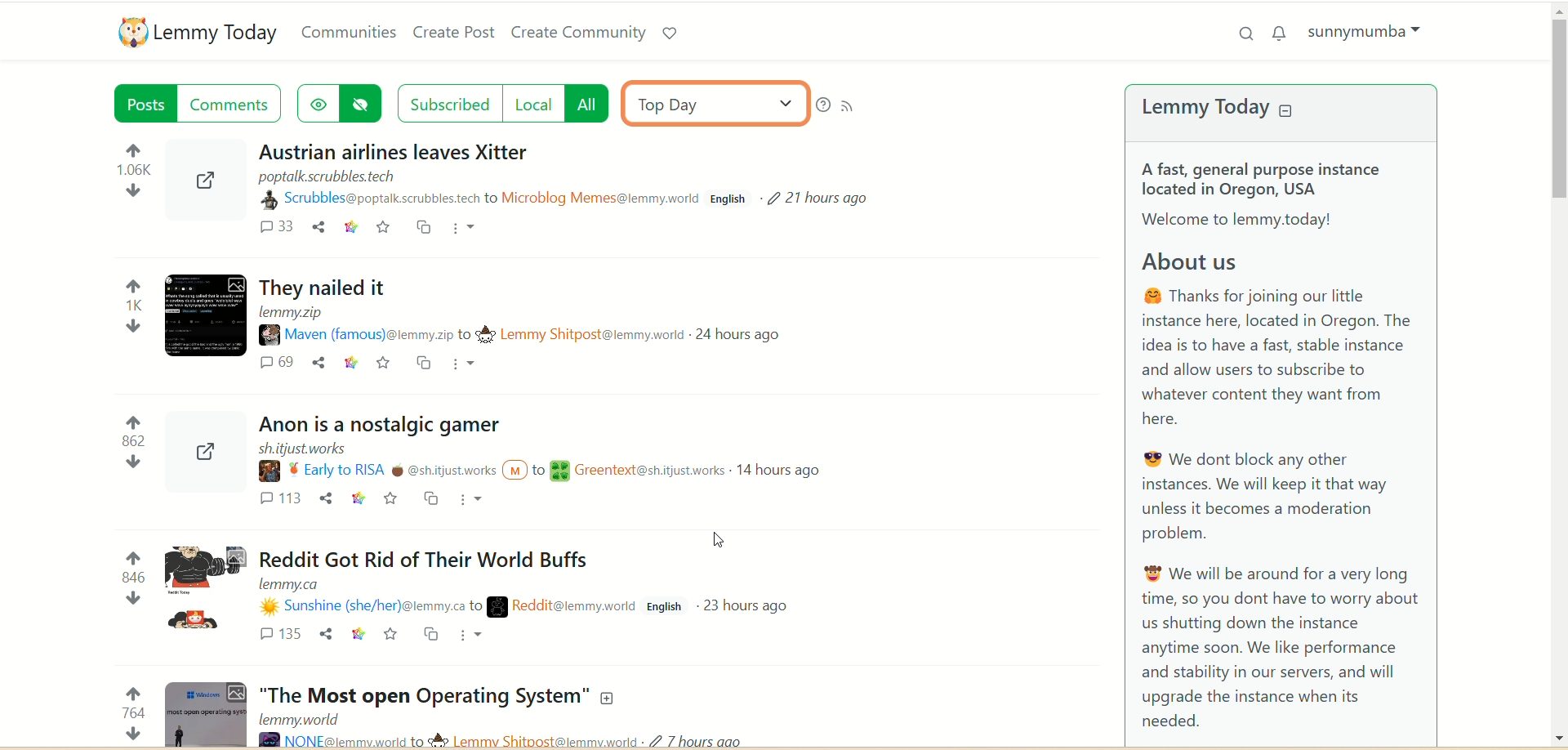  I want to click on create post, so click(453, 34).